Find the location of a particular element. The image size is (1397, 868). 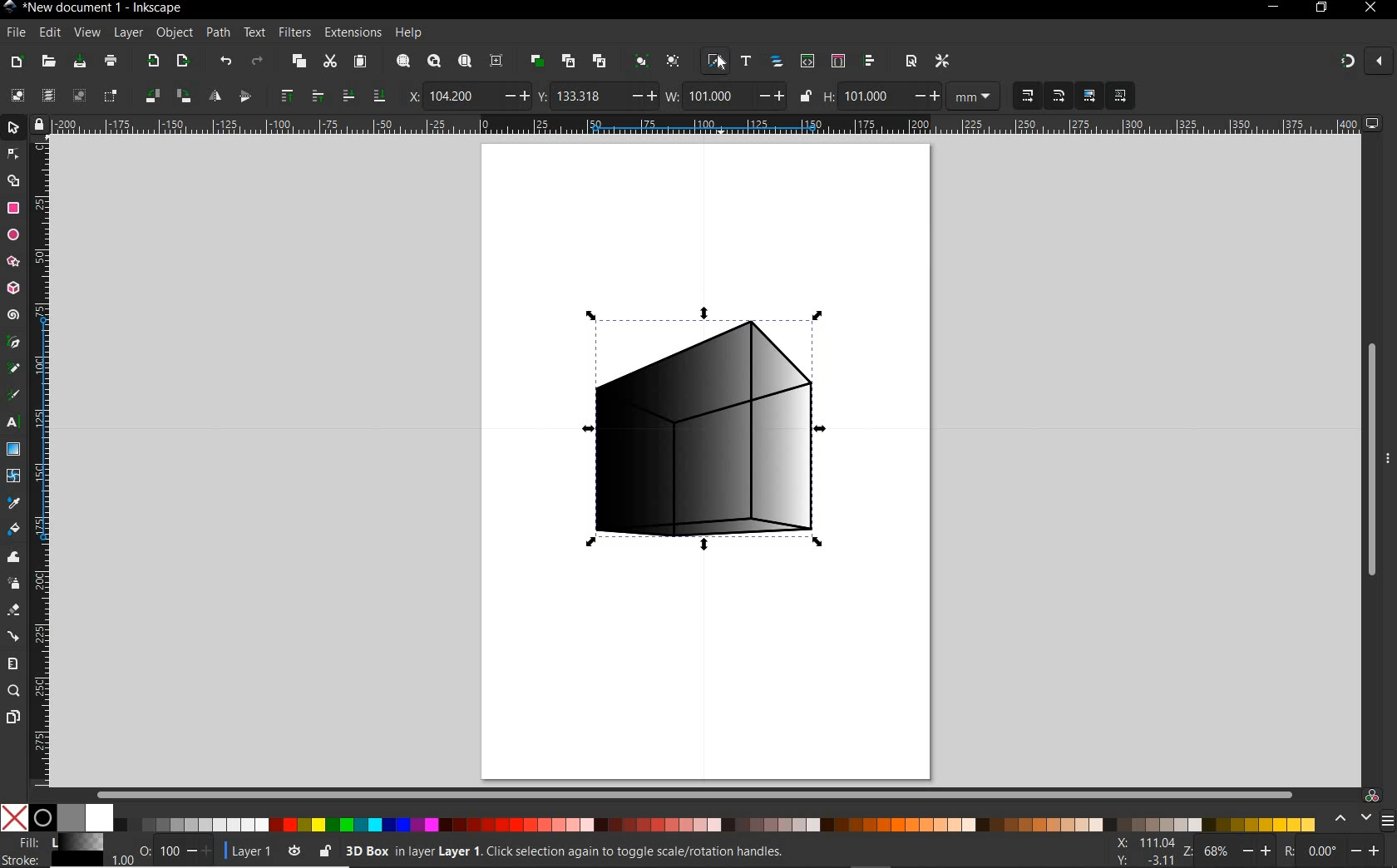

UNLINK CLONE is located at coordinates (601, 60).